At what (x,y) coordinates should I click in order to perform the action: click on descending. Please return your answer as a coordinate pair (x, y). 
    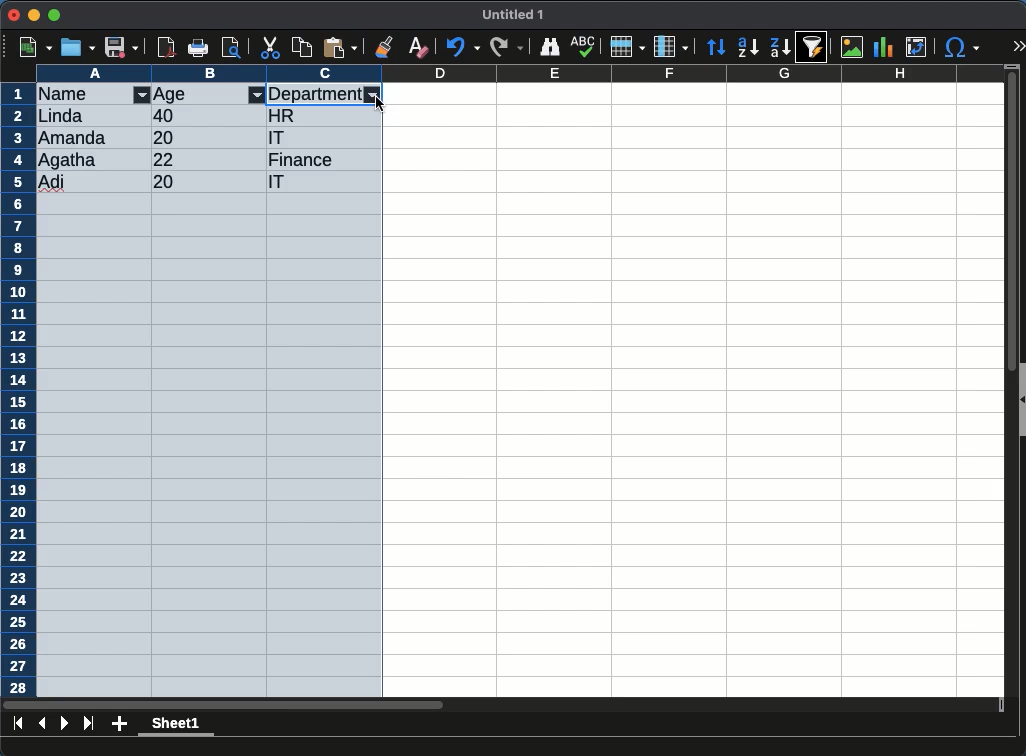
    Looking at the image, I should click on (748, 48).